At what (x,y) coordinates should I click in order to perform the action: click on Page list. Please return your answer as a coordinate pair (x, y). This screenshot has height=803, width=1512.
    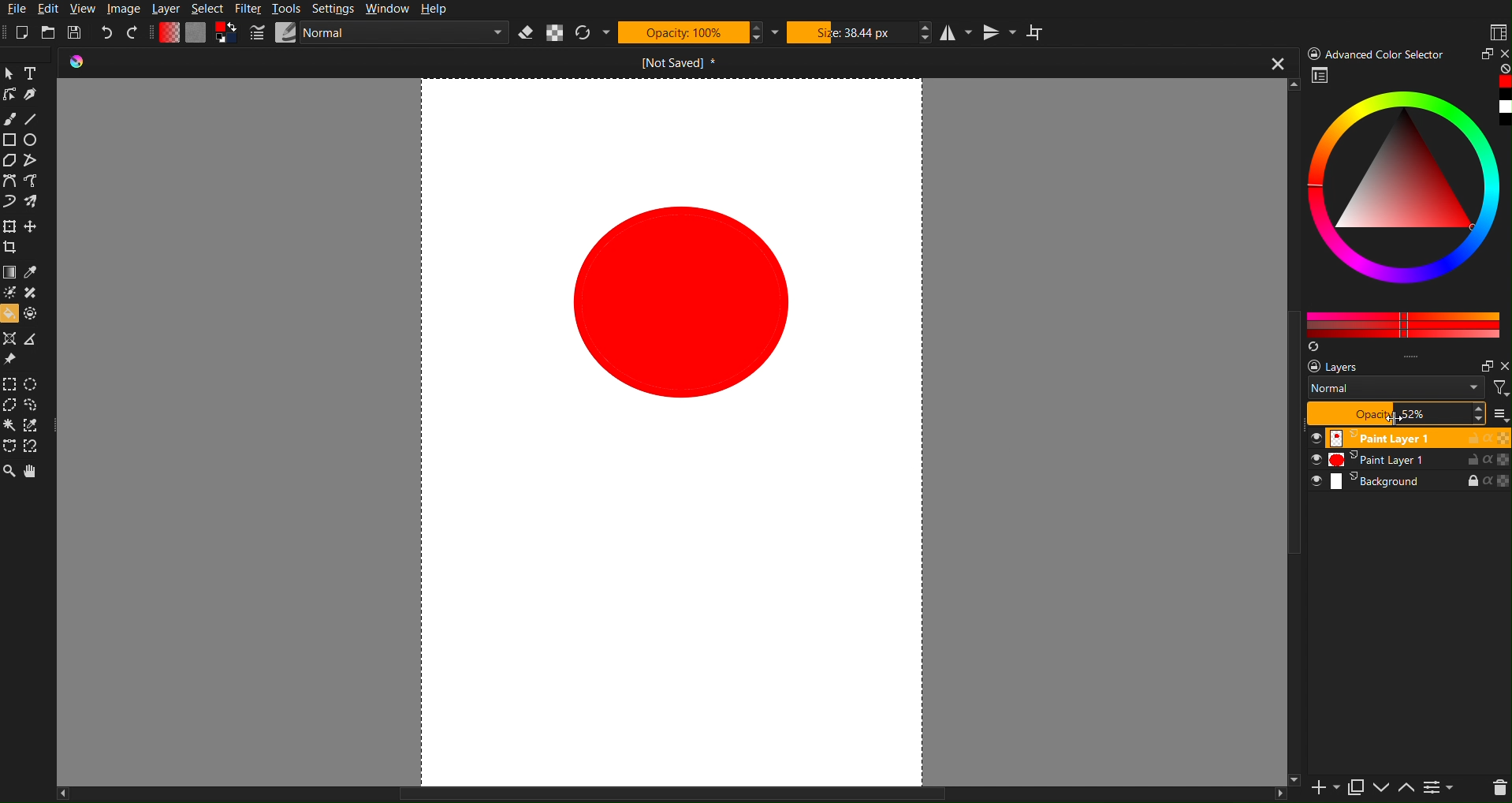
    Looking at the image, I should click on (1443, 789).